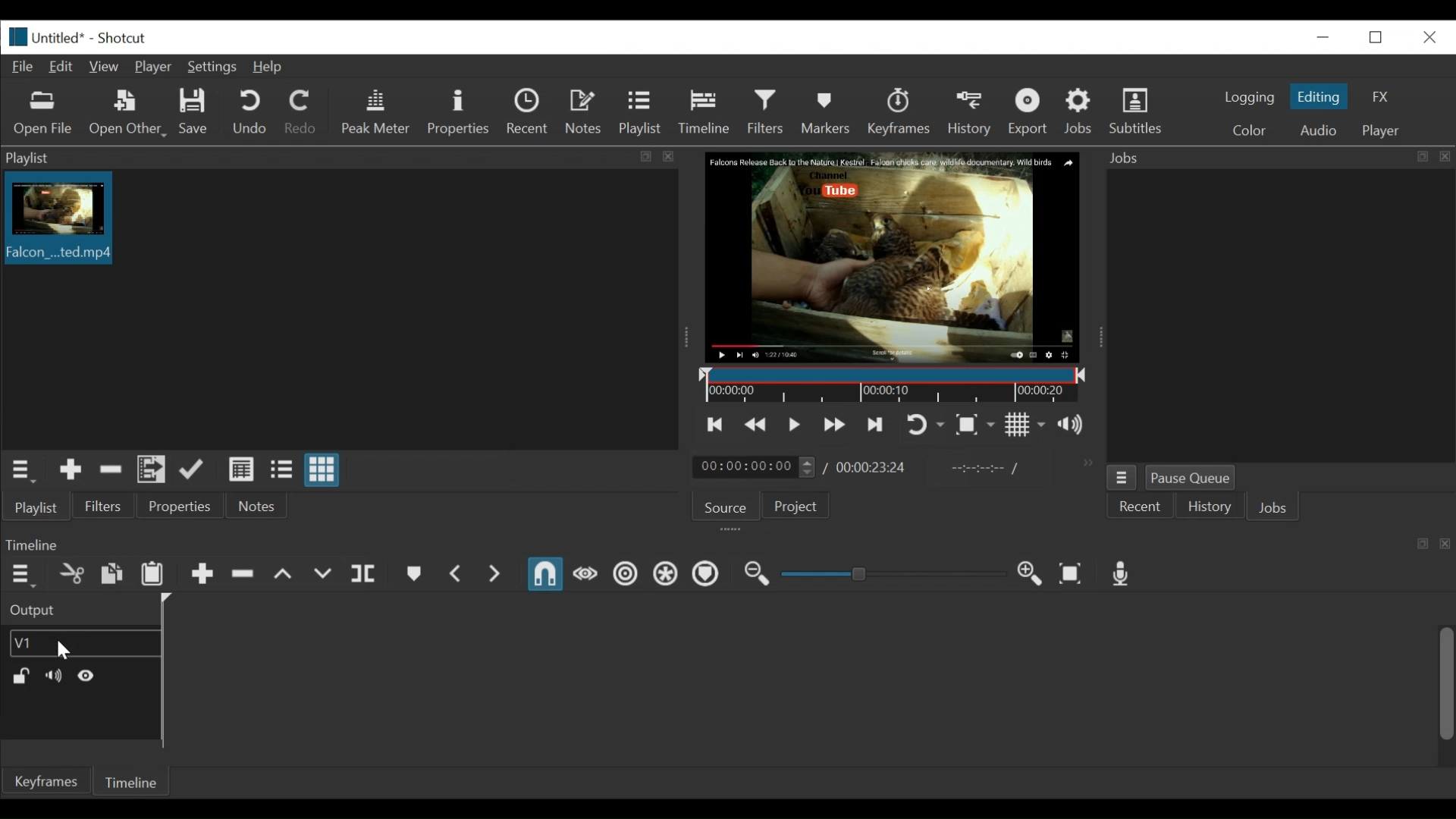  I want to click on Export, so click(1029, 113).